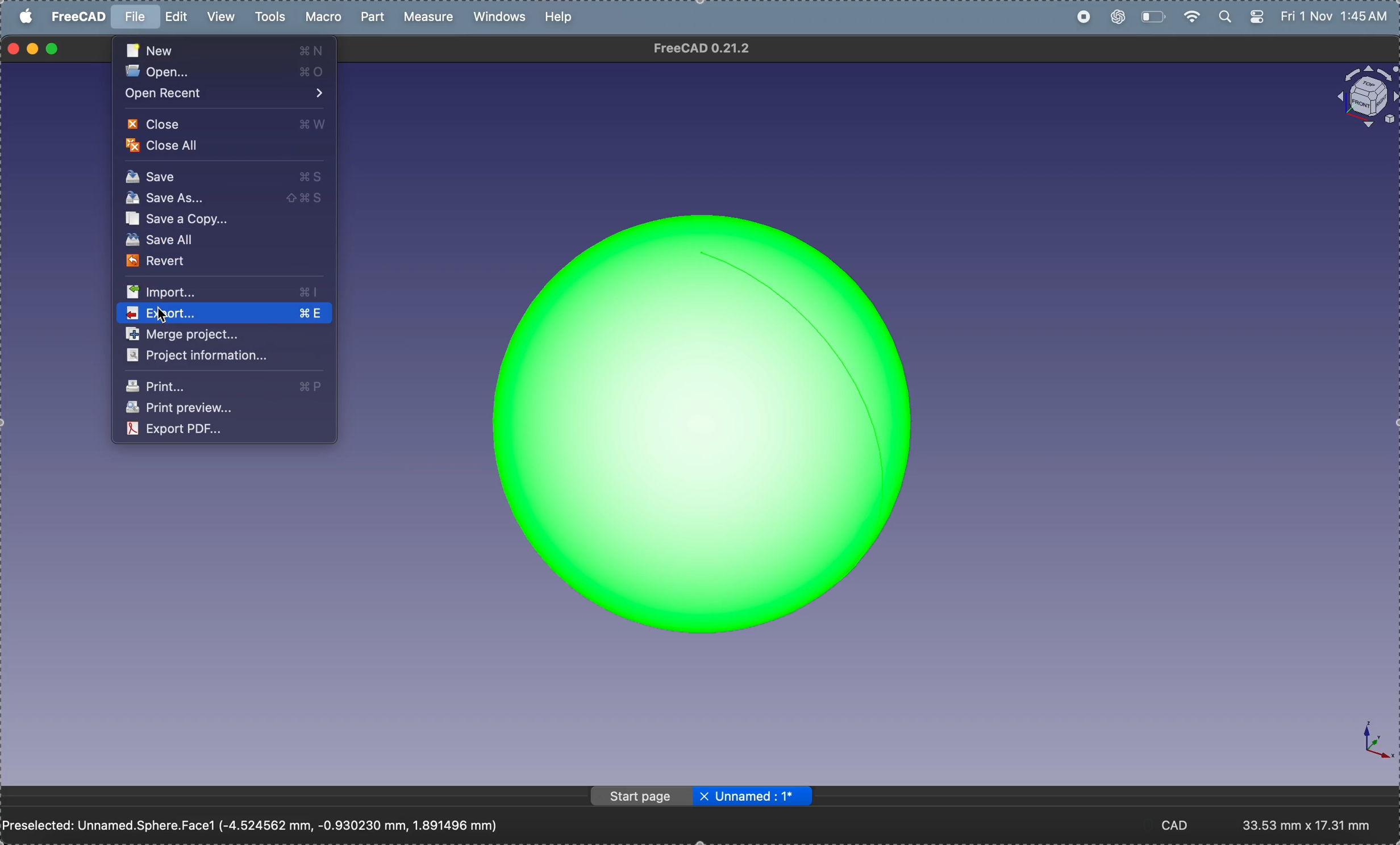  Describe the element at coordinates (502, 18) in the screenshot. I see `windows` at that location.